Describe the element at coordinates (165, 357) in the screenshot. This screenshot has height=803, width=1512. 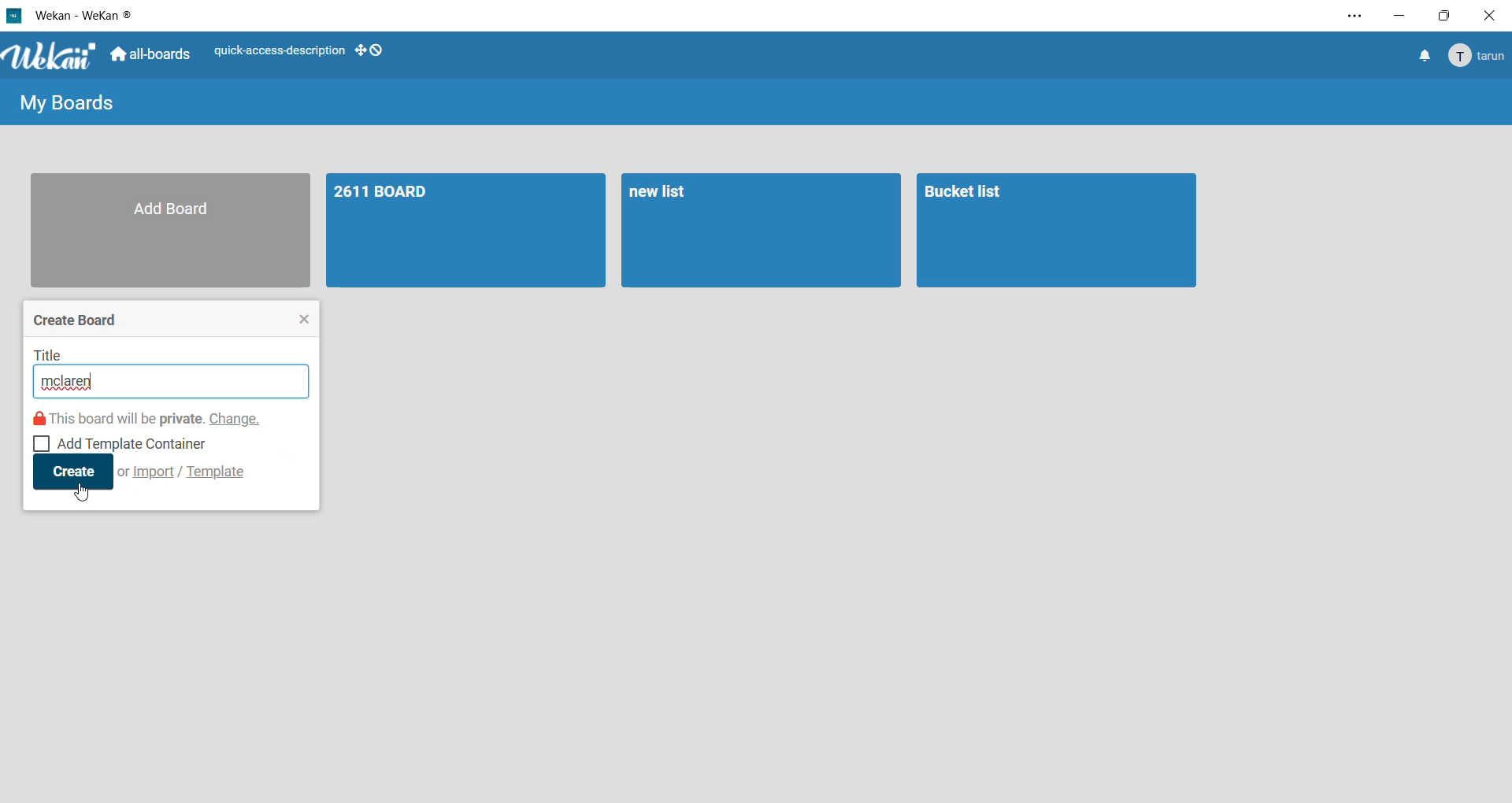
I see `title` at that location.